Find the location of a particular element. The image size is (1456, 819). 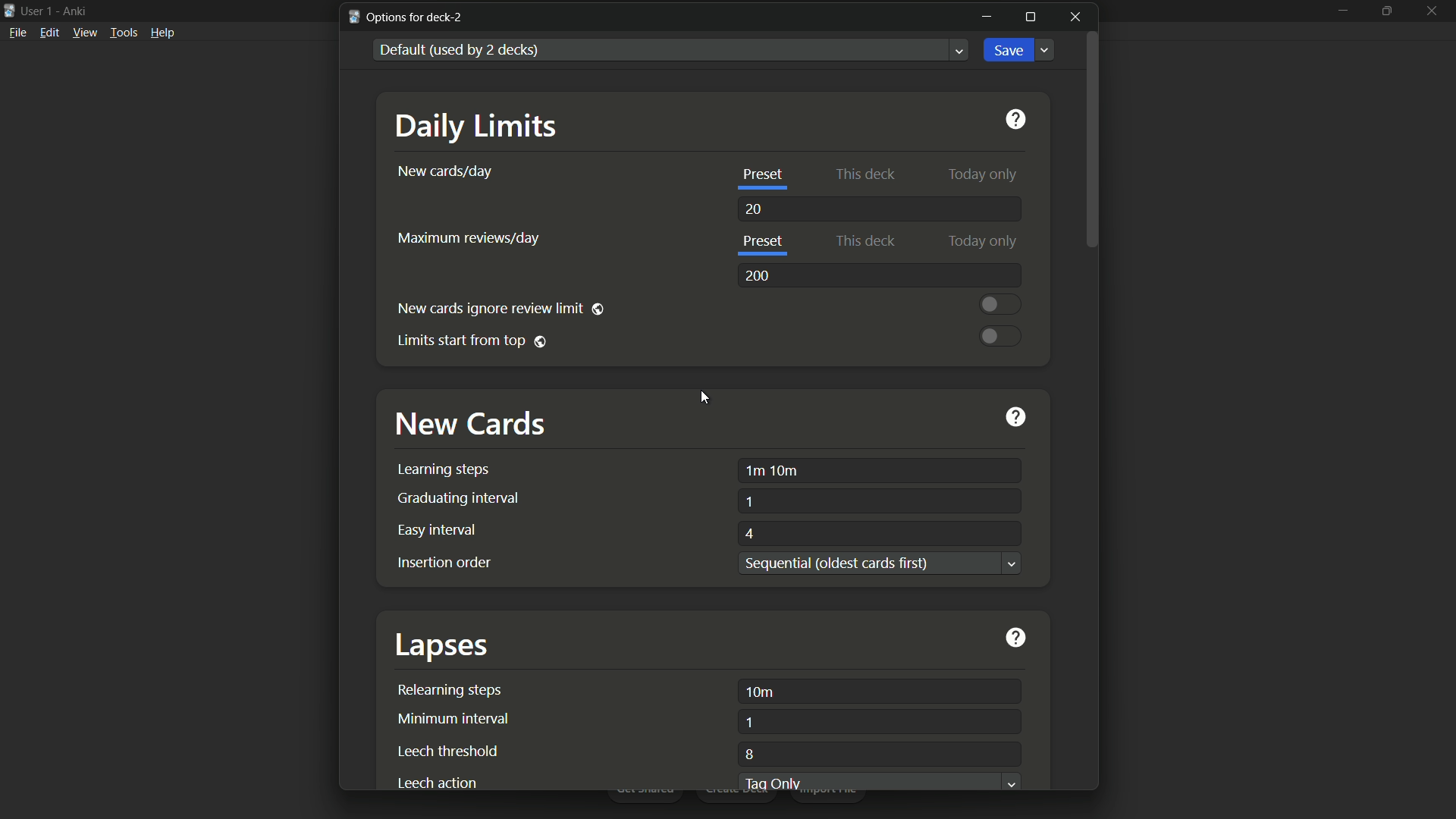

file menu is located at coordinates (17, 33).